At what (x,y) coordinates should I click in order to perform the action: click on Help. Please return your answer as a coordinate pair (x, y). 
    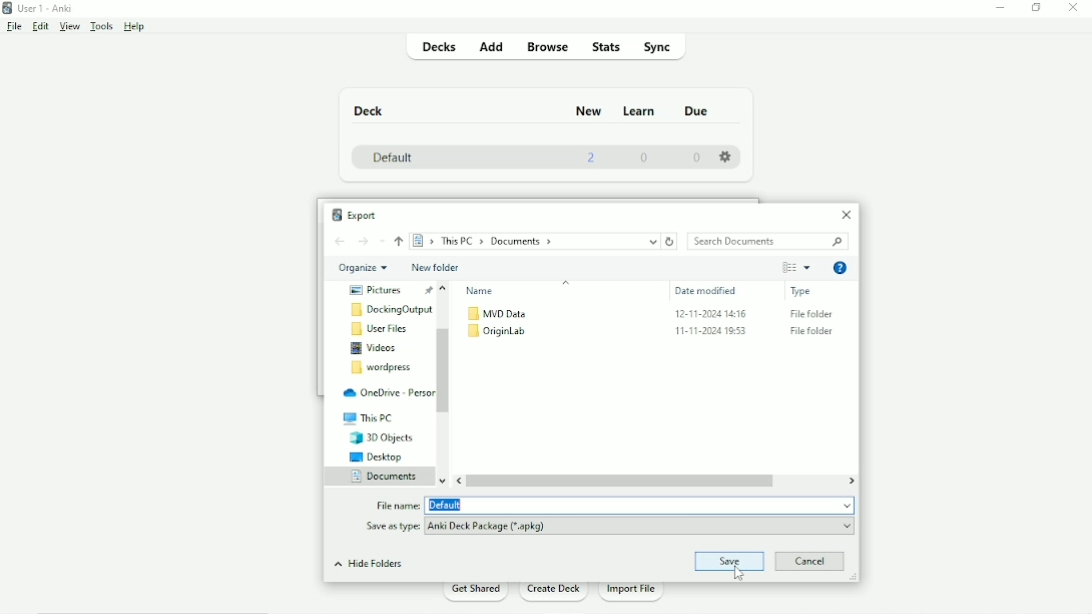
    Looking at the image, I should click on (136, 27).